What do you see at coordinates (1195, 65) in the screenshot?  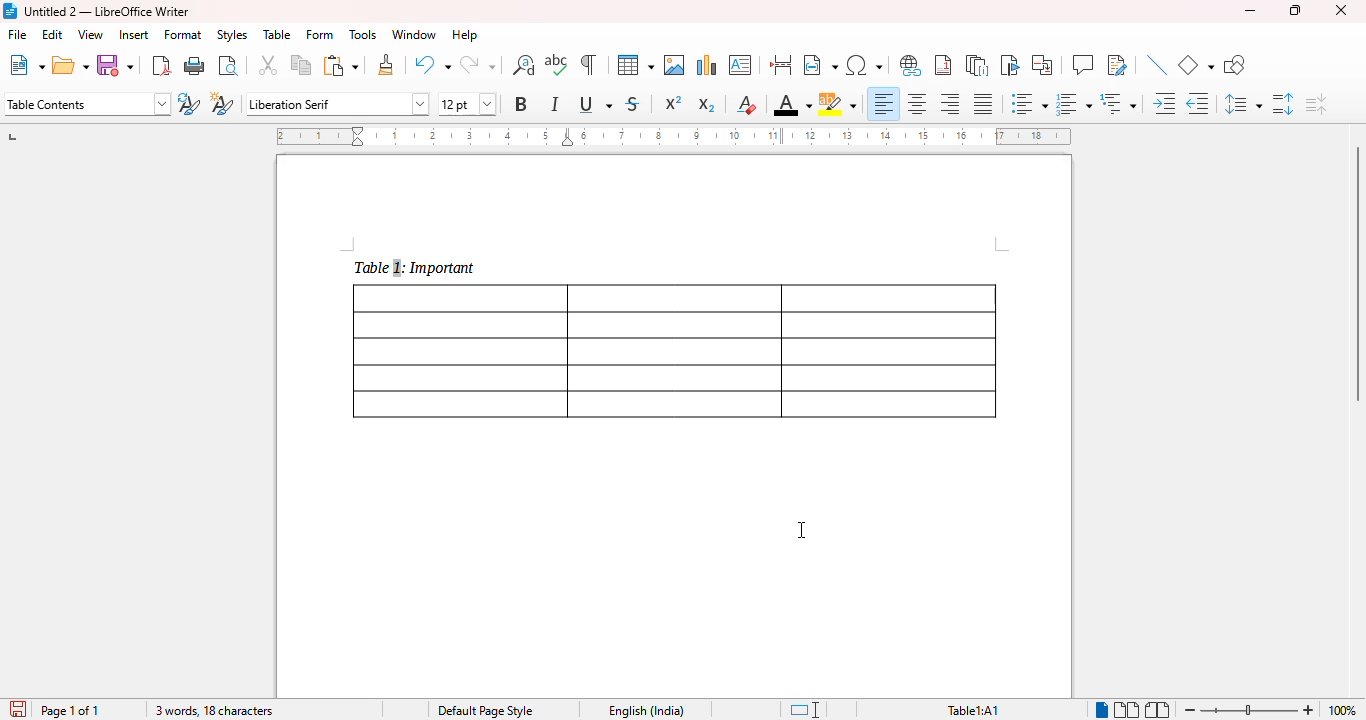 I see `basic shapes` at bounding box center [1195, 65].